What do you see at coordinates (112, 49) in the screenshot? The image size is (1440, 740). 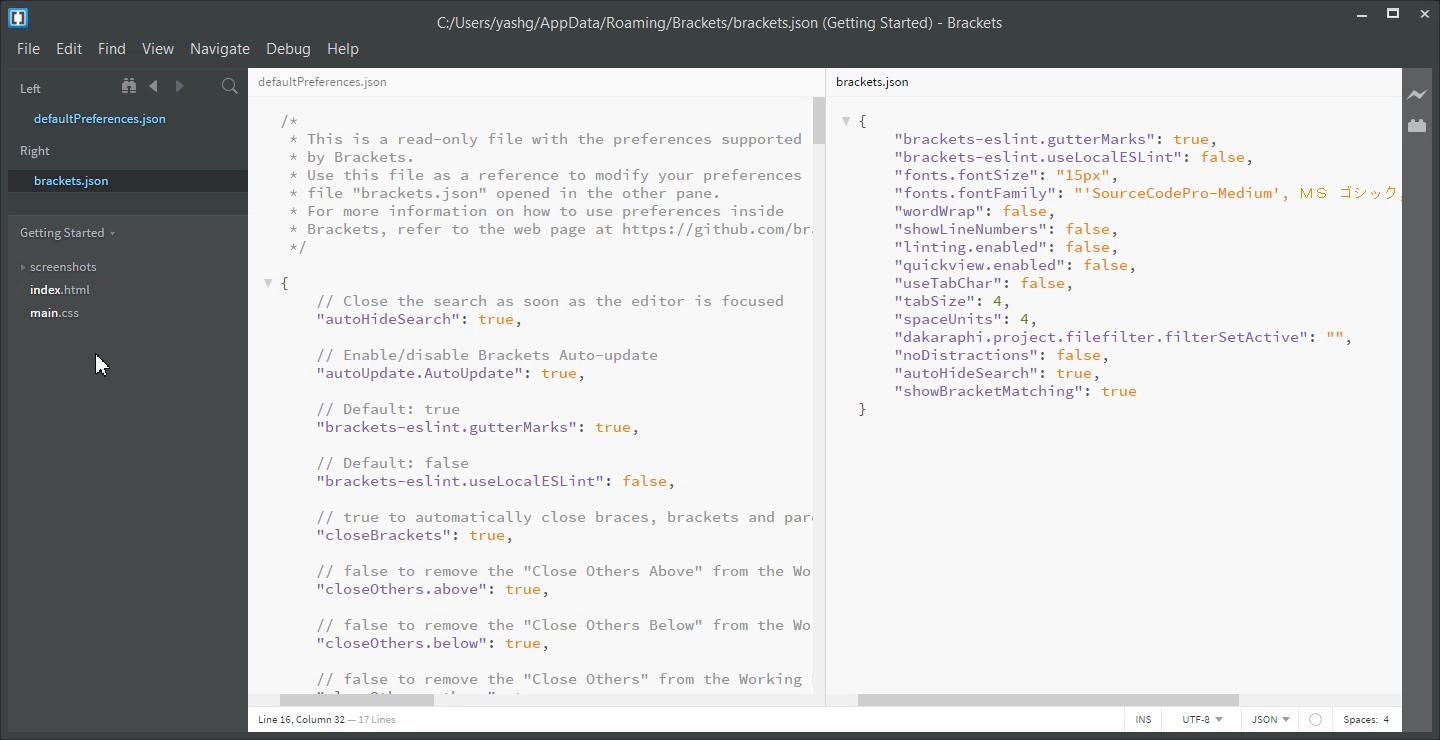 I see `Find` at bounding box center [112, 49].